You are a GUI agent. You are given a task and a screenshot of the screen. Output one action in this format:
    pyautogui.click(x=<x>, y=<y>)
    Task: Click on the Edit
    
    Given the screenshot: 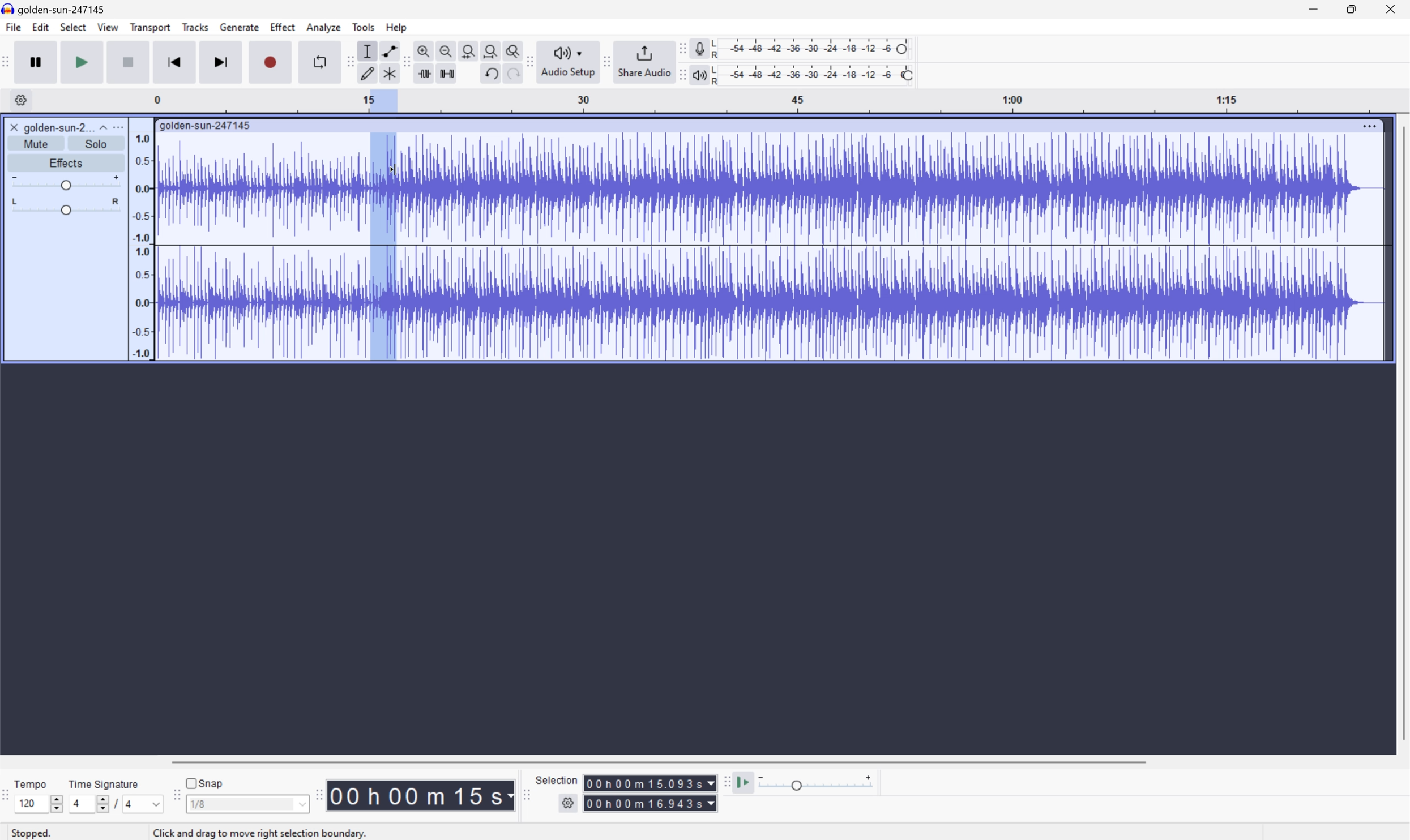 What is the action you would take?
    pyautogui.click(x=41, y=28)
    